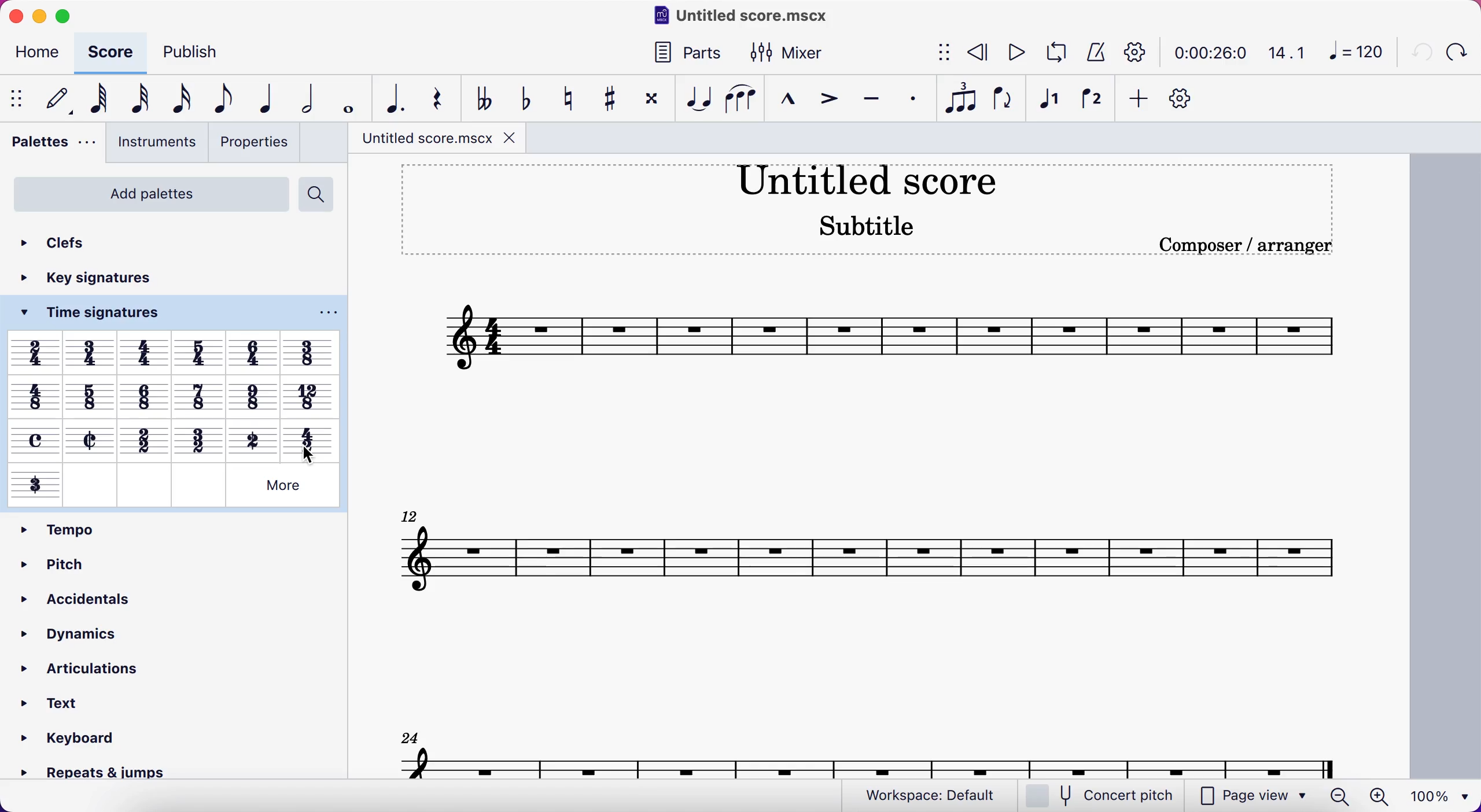 The image size is (1481, 812). I want to click on , so click(92, 440).